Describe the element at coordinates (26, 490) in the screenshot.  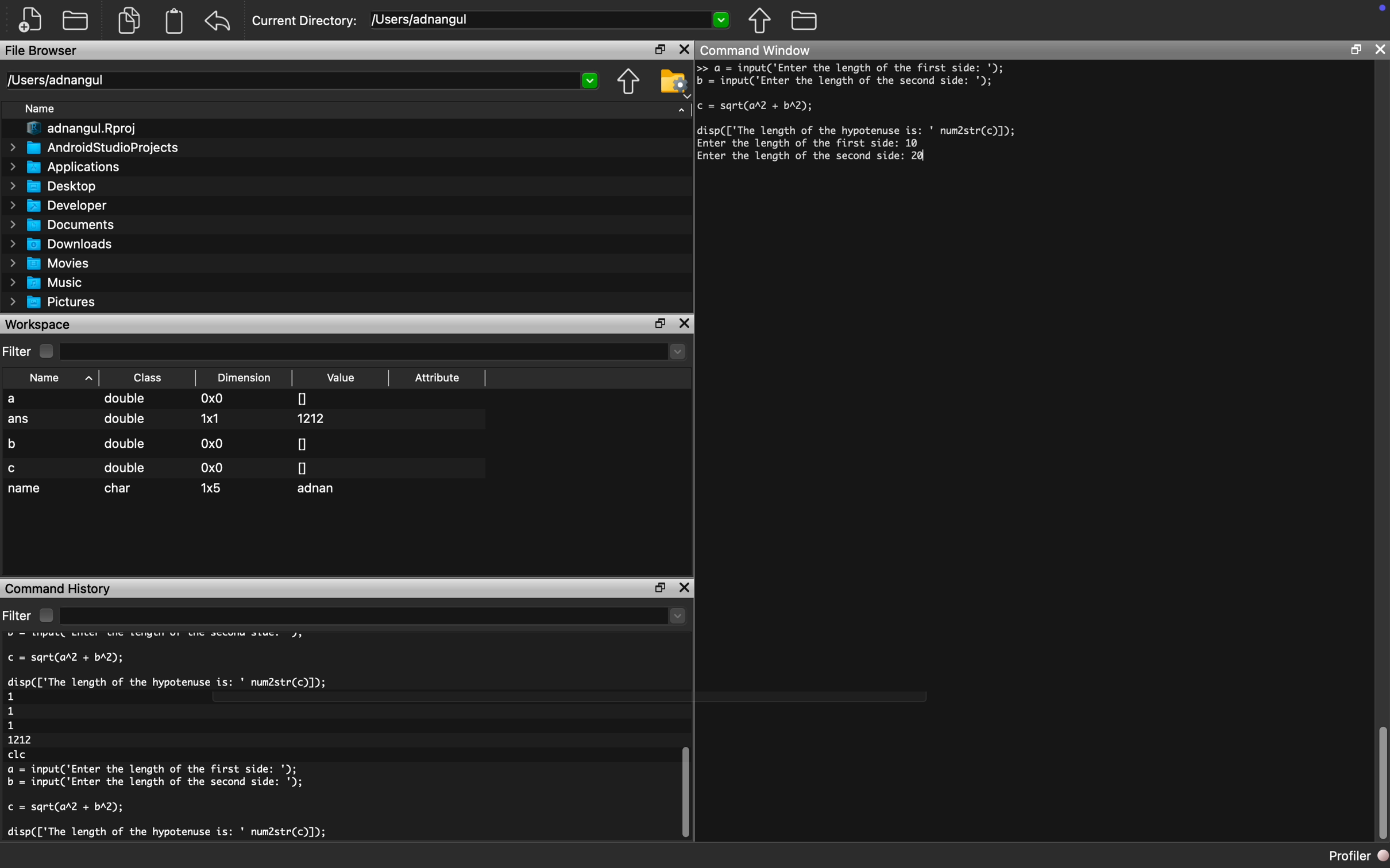
I see `name` at that location.